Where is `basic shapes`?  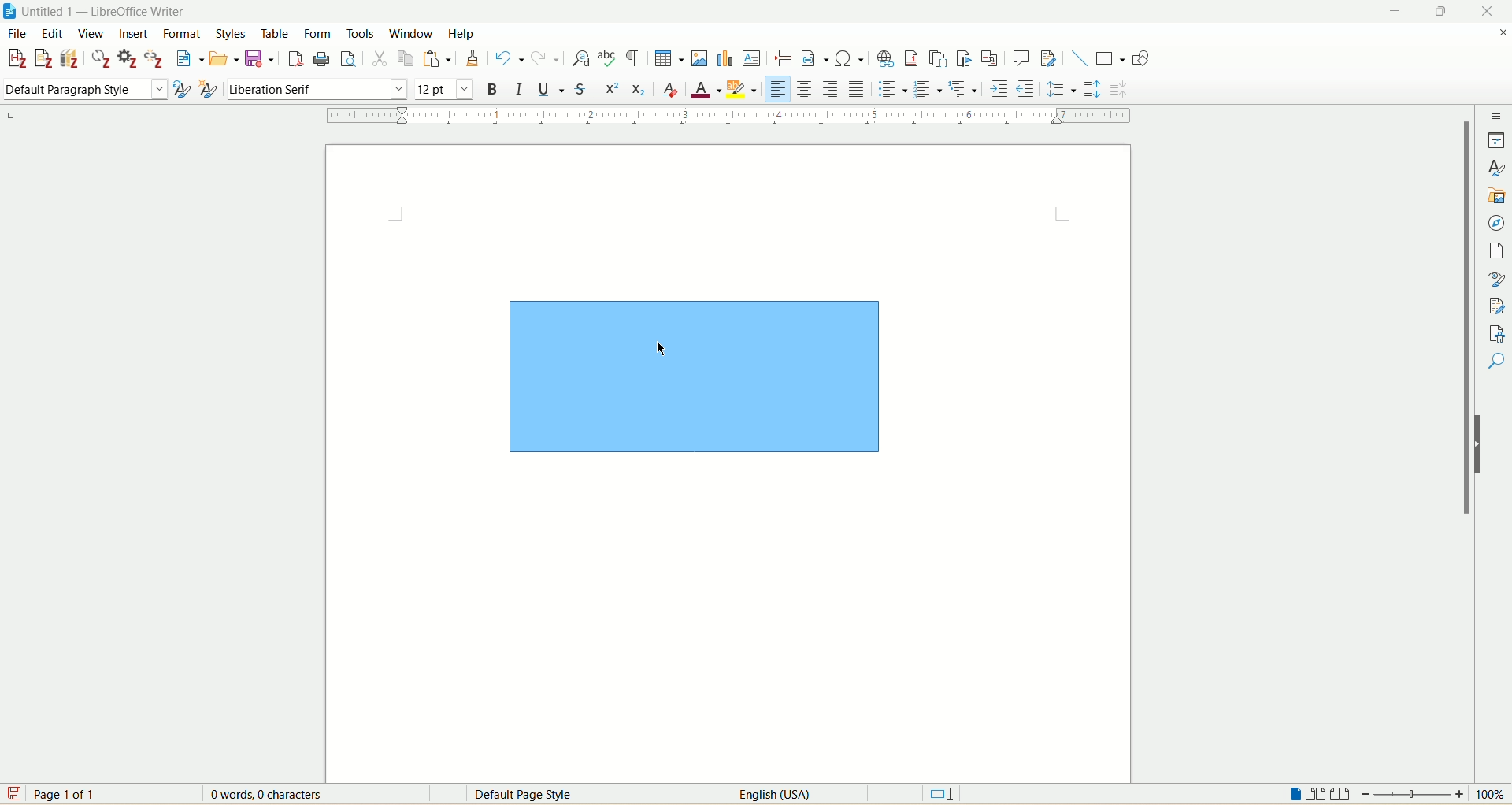
basic shapes is located at coordinates (1110, 60).